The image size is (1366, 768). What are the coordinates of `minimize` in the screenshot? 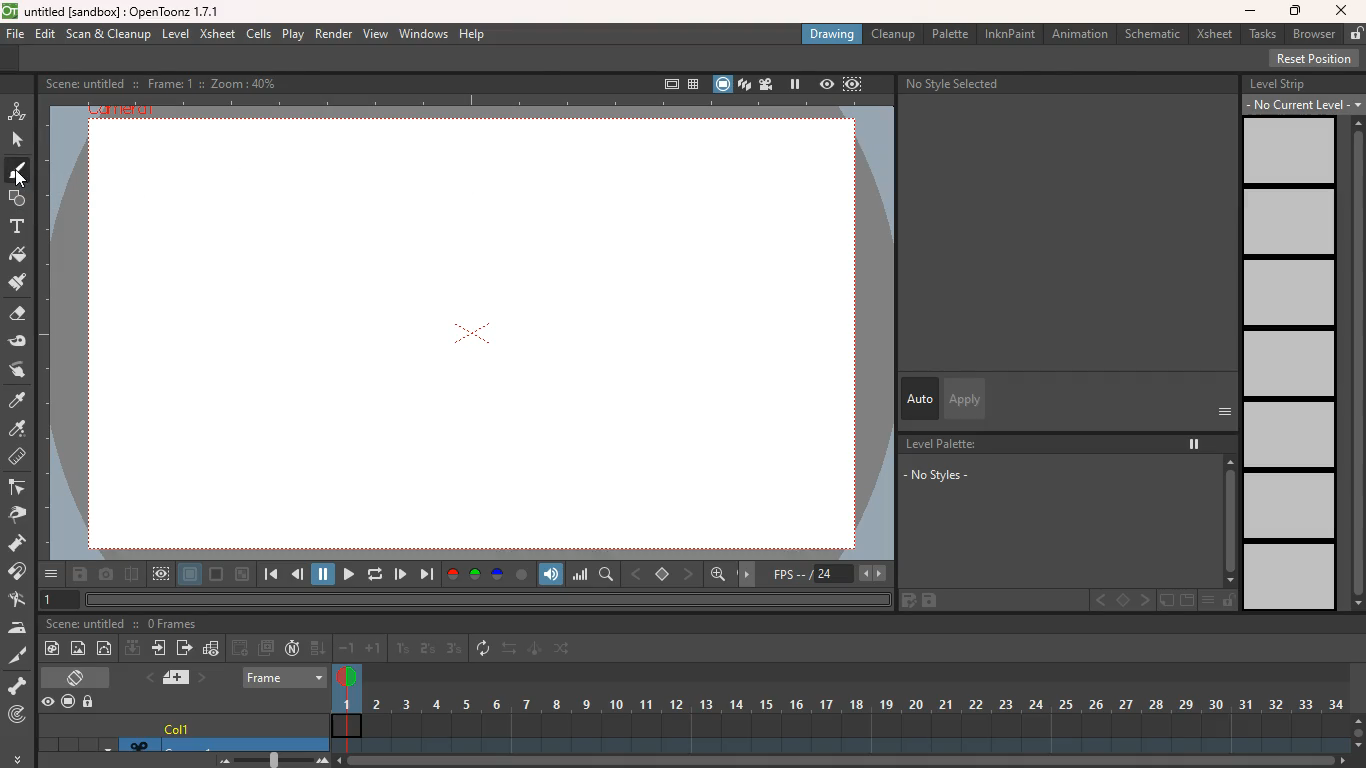 It's located at (1250, 12).